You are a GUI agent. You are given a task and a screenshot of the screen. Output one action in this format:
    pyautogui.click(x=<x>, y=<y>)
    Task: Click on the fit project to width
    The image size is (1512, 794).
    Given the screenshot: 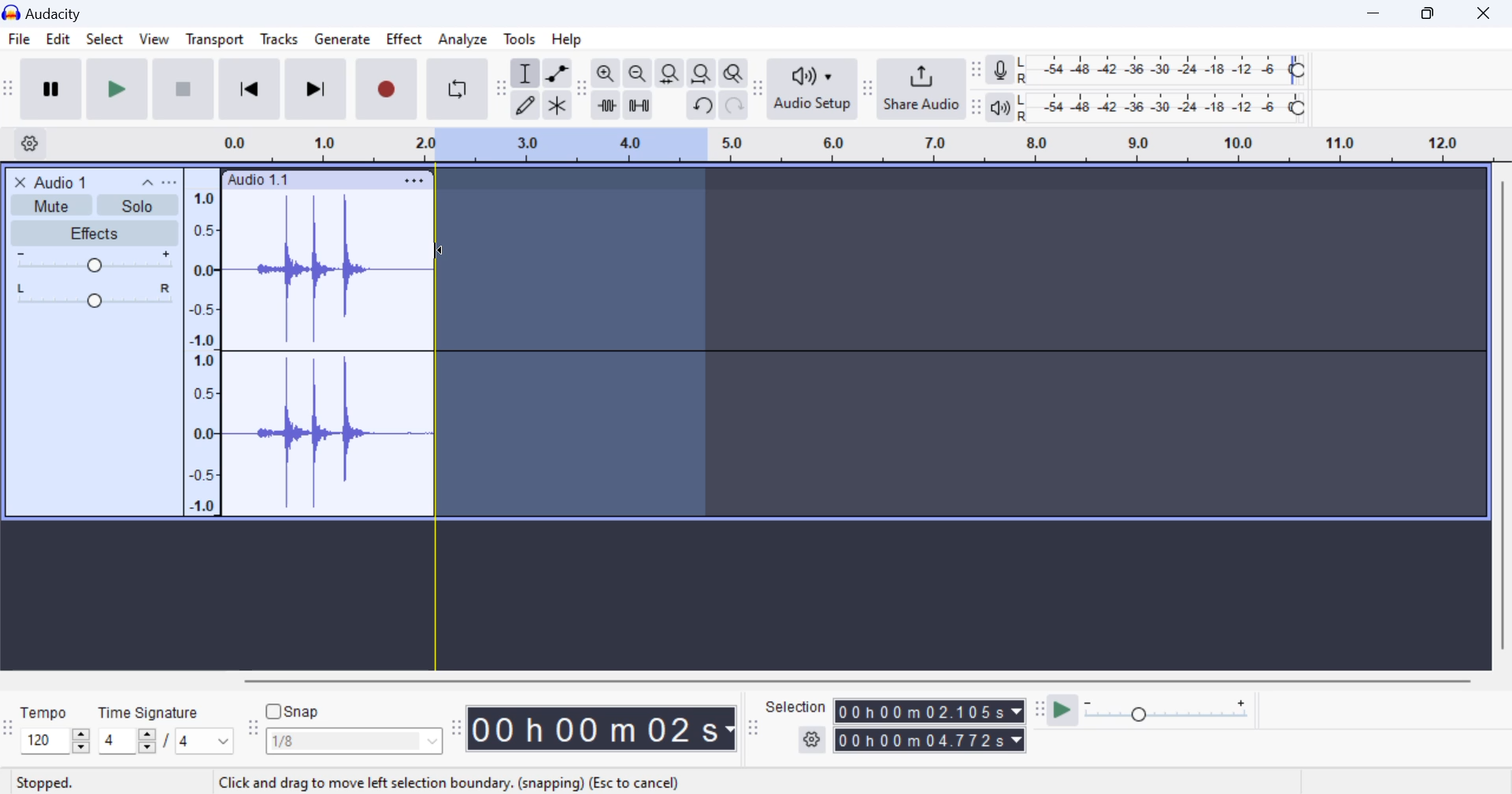 What is the action you would take?
    pyautogui.click(x=702, y=74)
    